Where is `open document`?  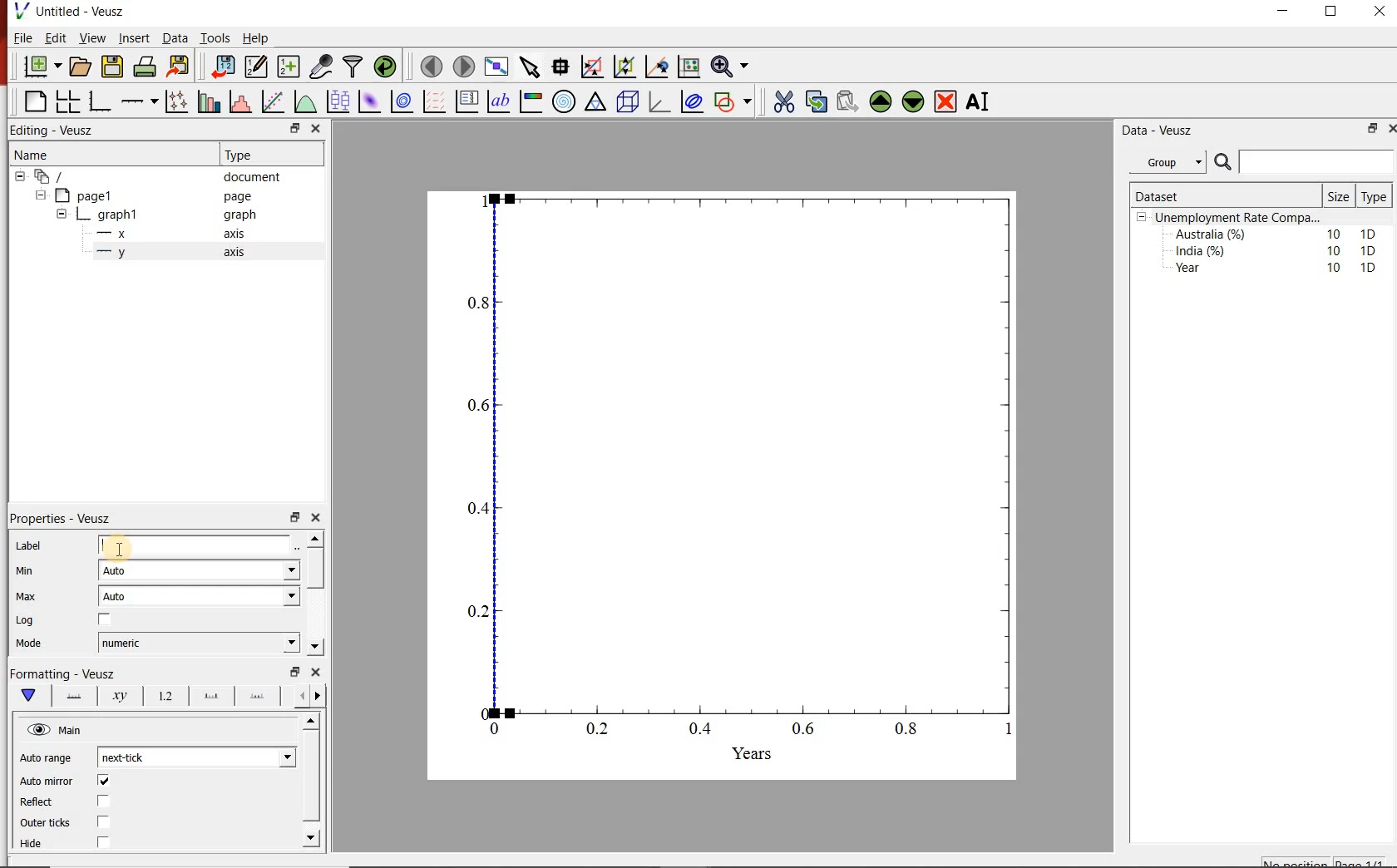
open document is located at coordinates (81, 67).